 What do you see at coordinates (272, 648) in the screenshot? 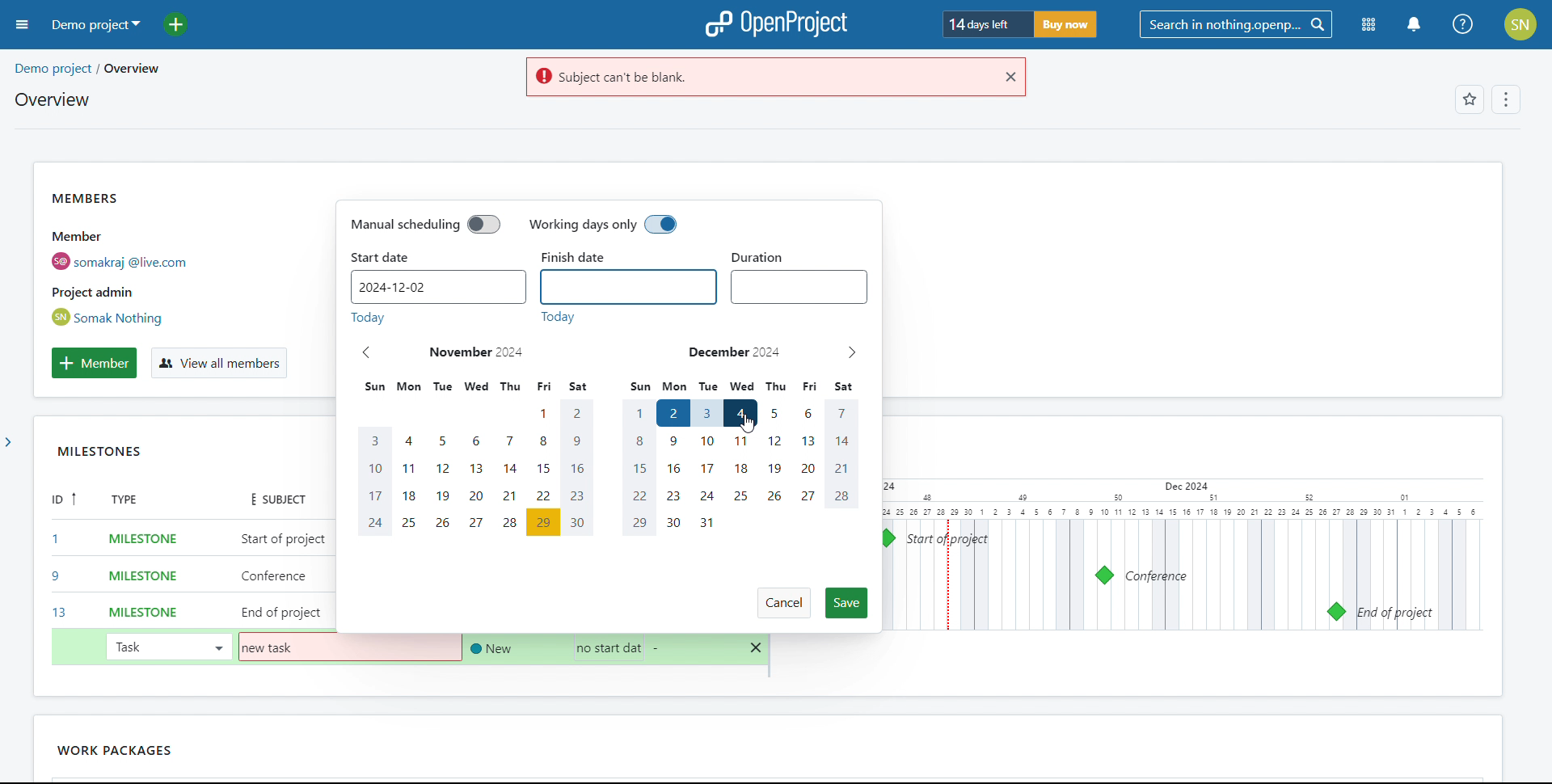
I see `subject added` at bounding box center [272, 648].